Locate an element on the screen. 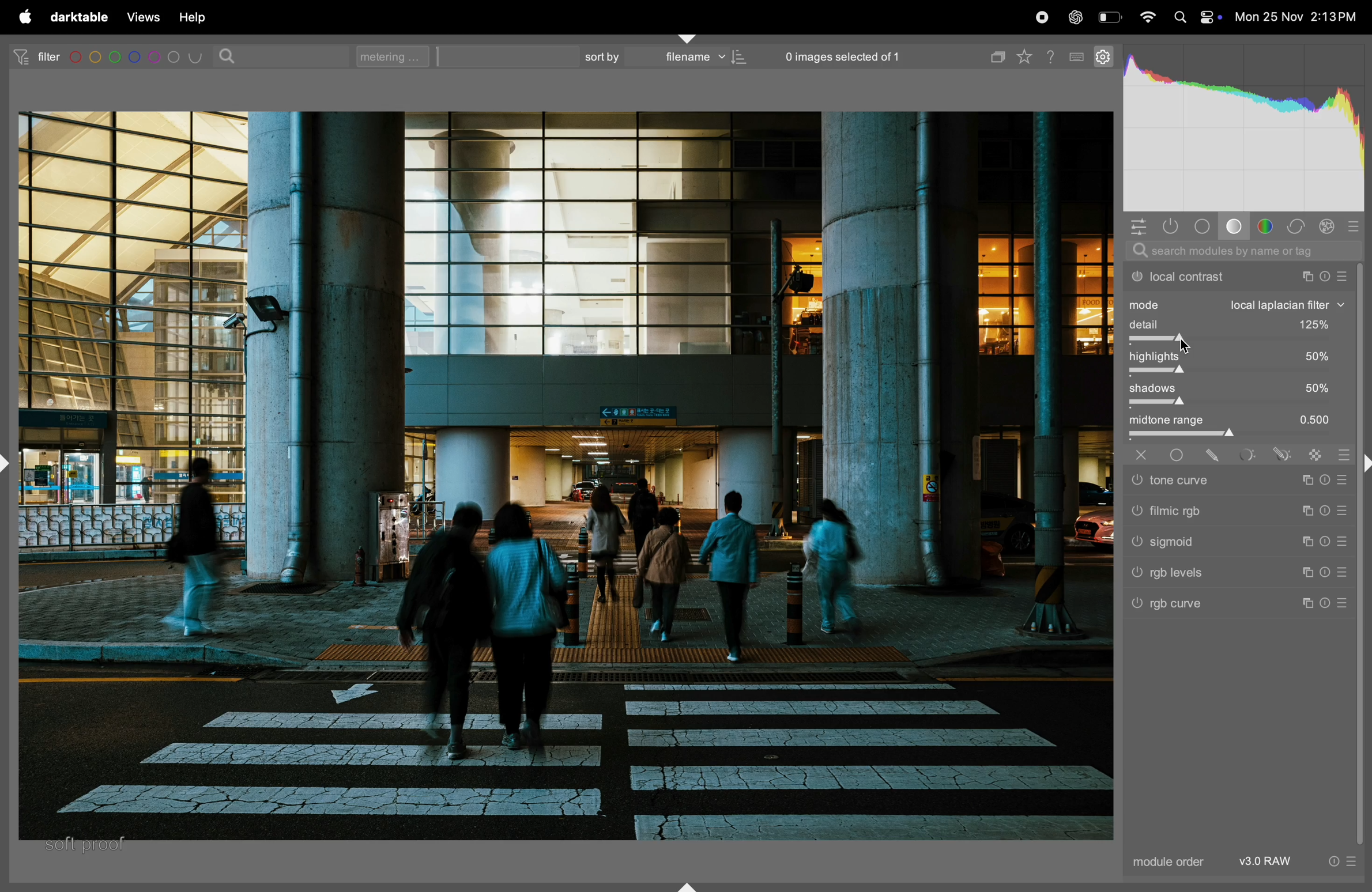  local contrast is located at coordinates (1235, 276).